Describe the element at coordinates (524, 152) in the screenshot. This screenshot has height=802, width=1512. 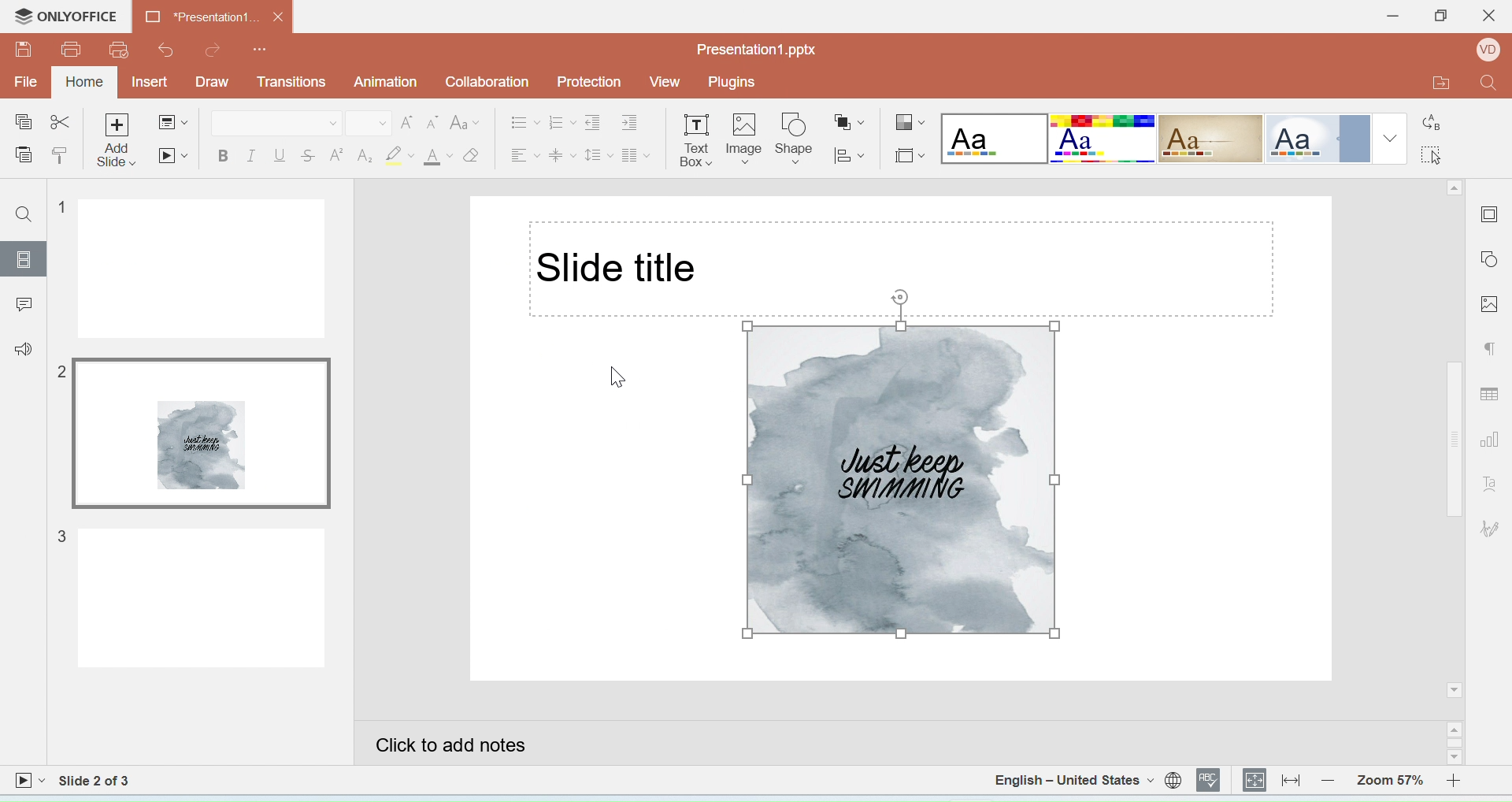
I see `Horizontal align` at that location.